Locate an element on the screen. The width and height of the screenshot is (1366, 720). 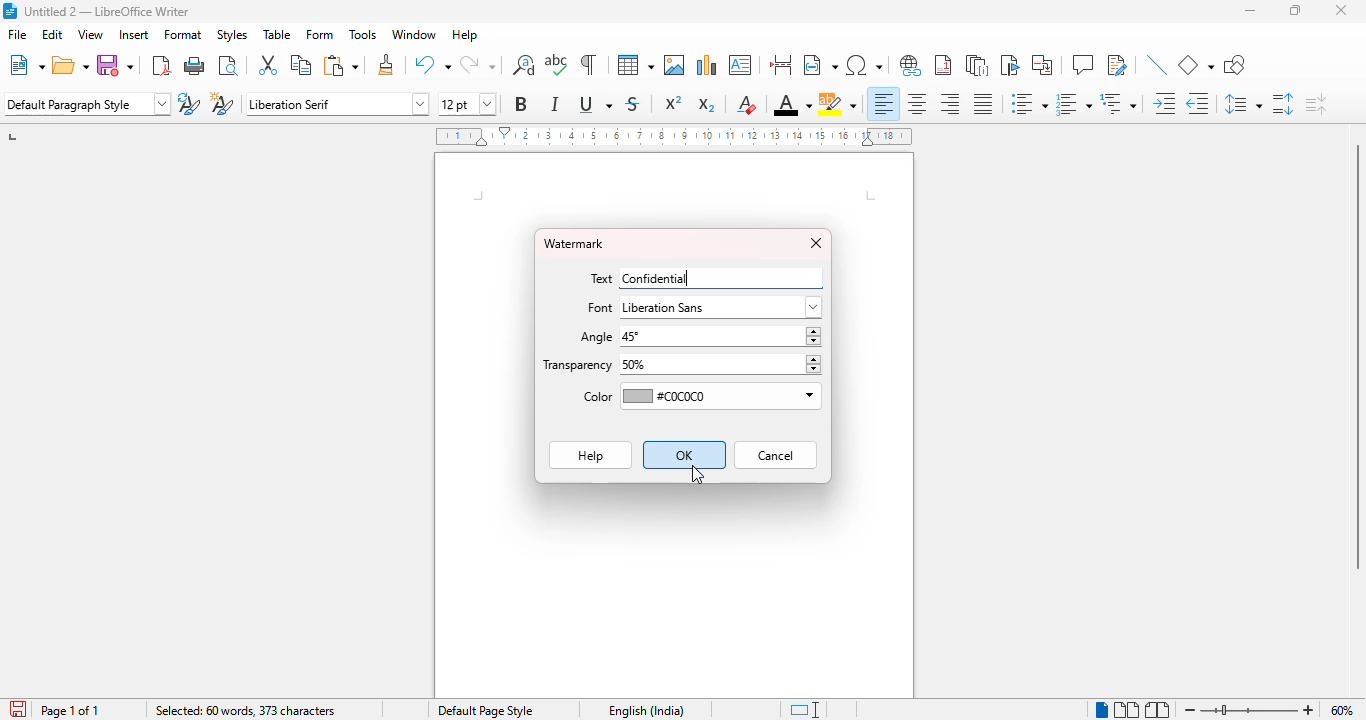
OK is located at coordinates (684, 454).